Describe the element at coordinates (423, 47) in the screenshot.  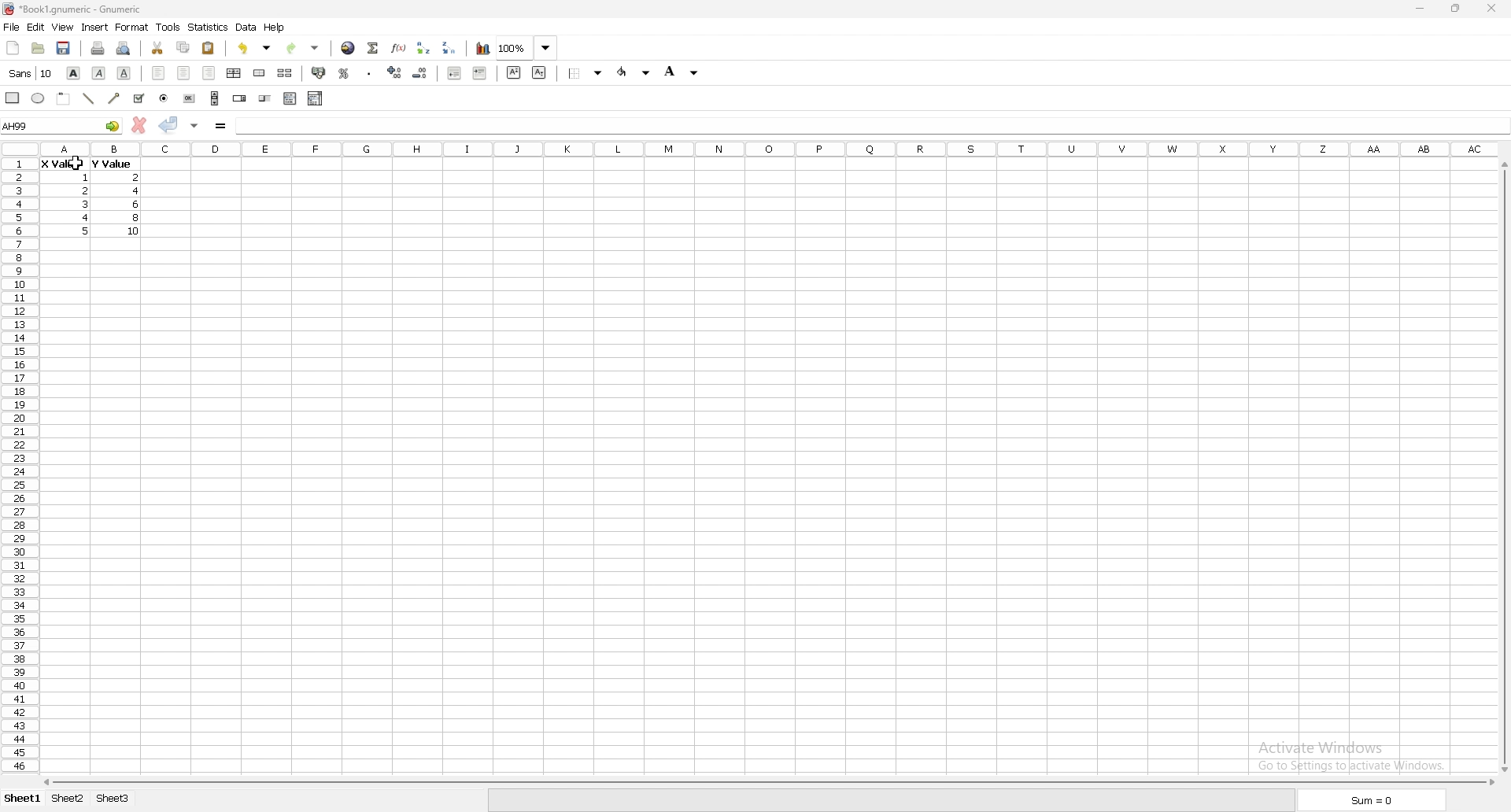
I see `sort ascending` at that location.